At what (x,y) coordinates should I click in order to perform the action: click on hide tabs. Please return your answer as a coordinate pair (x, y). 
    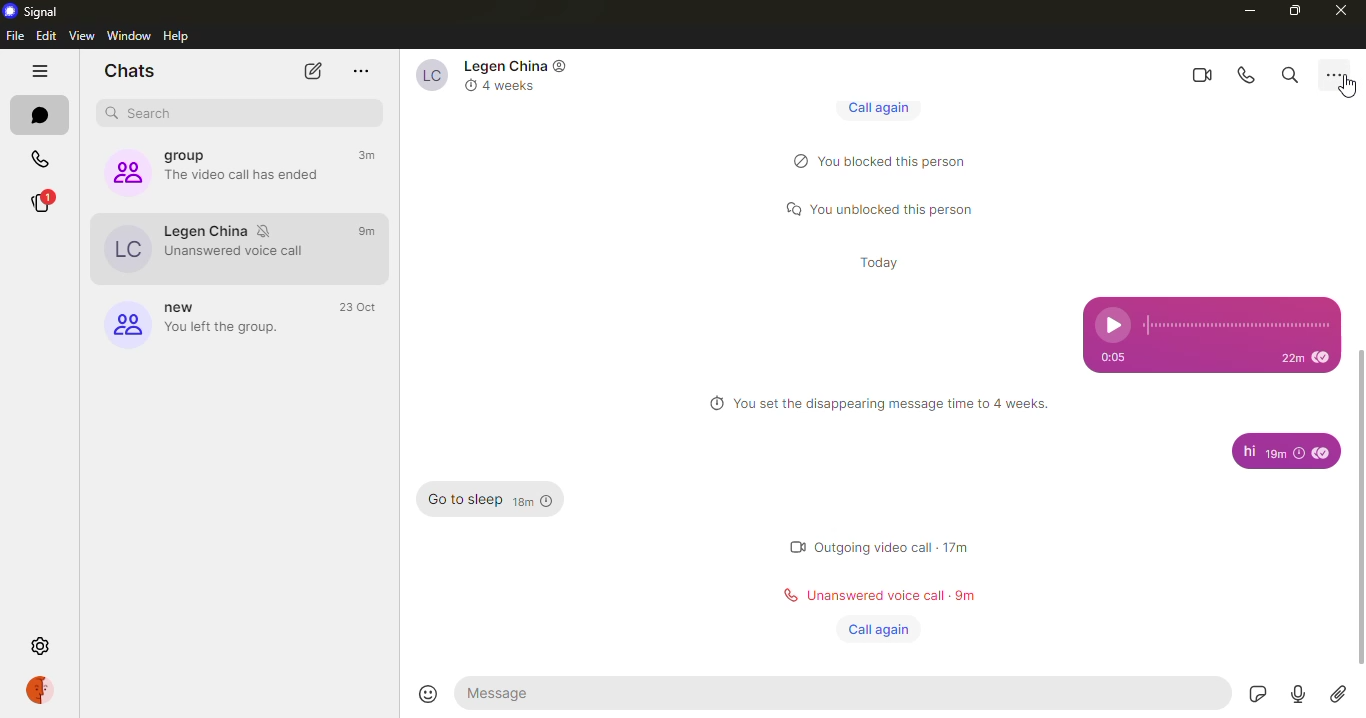
    Looking at the image, I should click on (34, 73).